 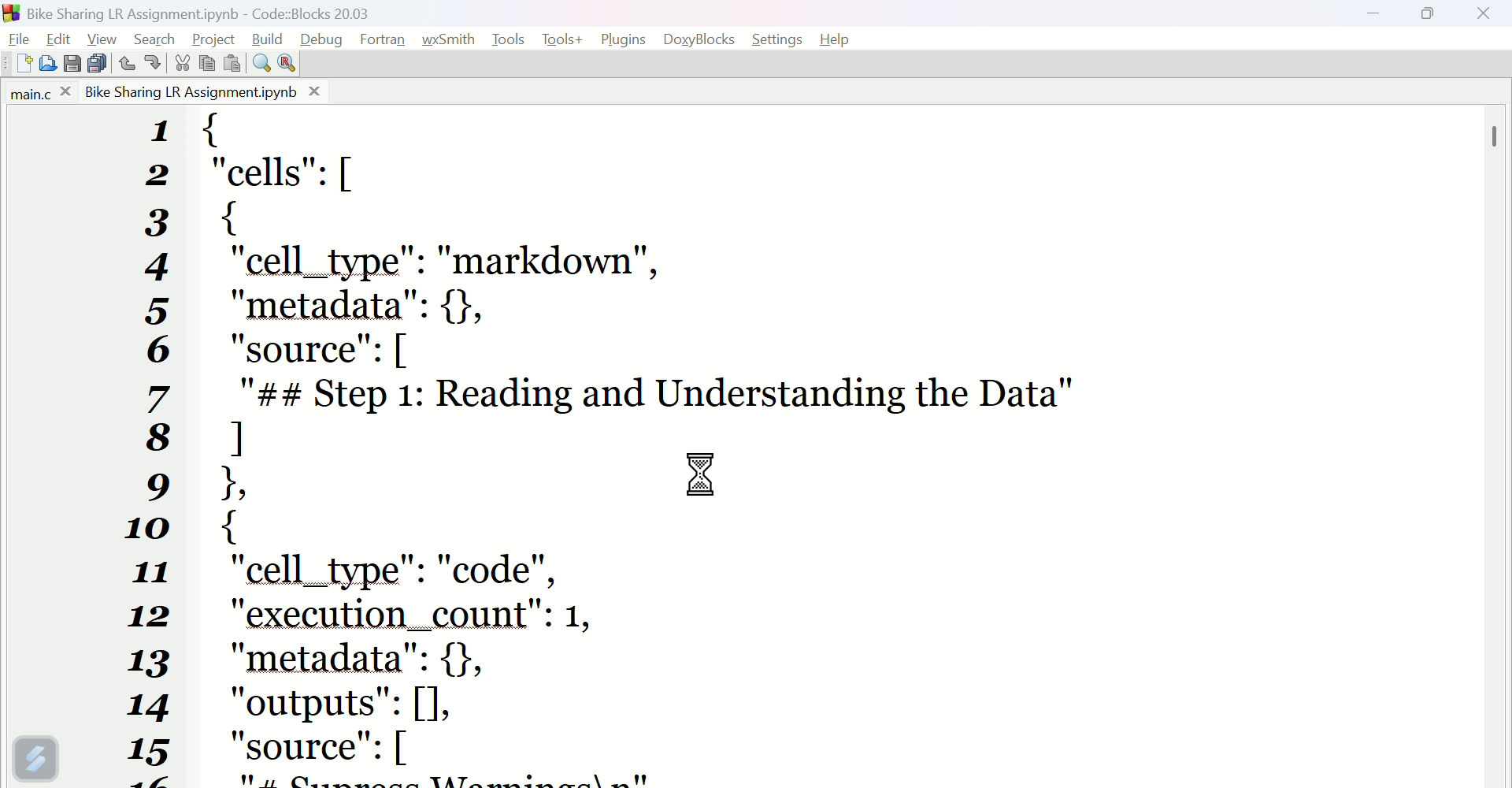 I want to click on Version control, so click(x=35, y=758).